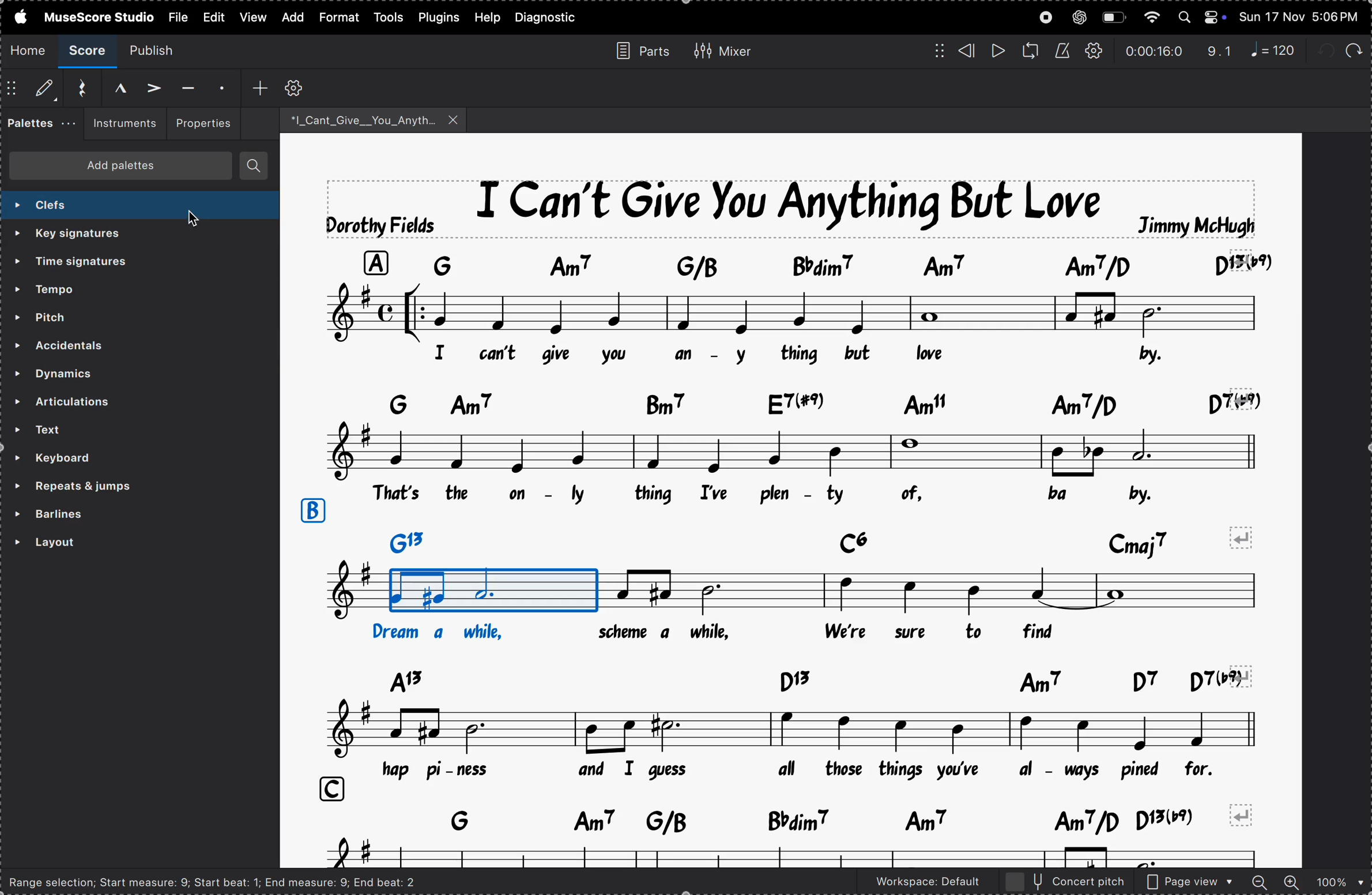  I want to click on repeats and jumps, so click(105, 488).